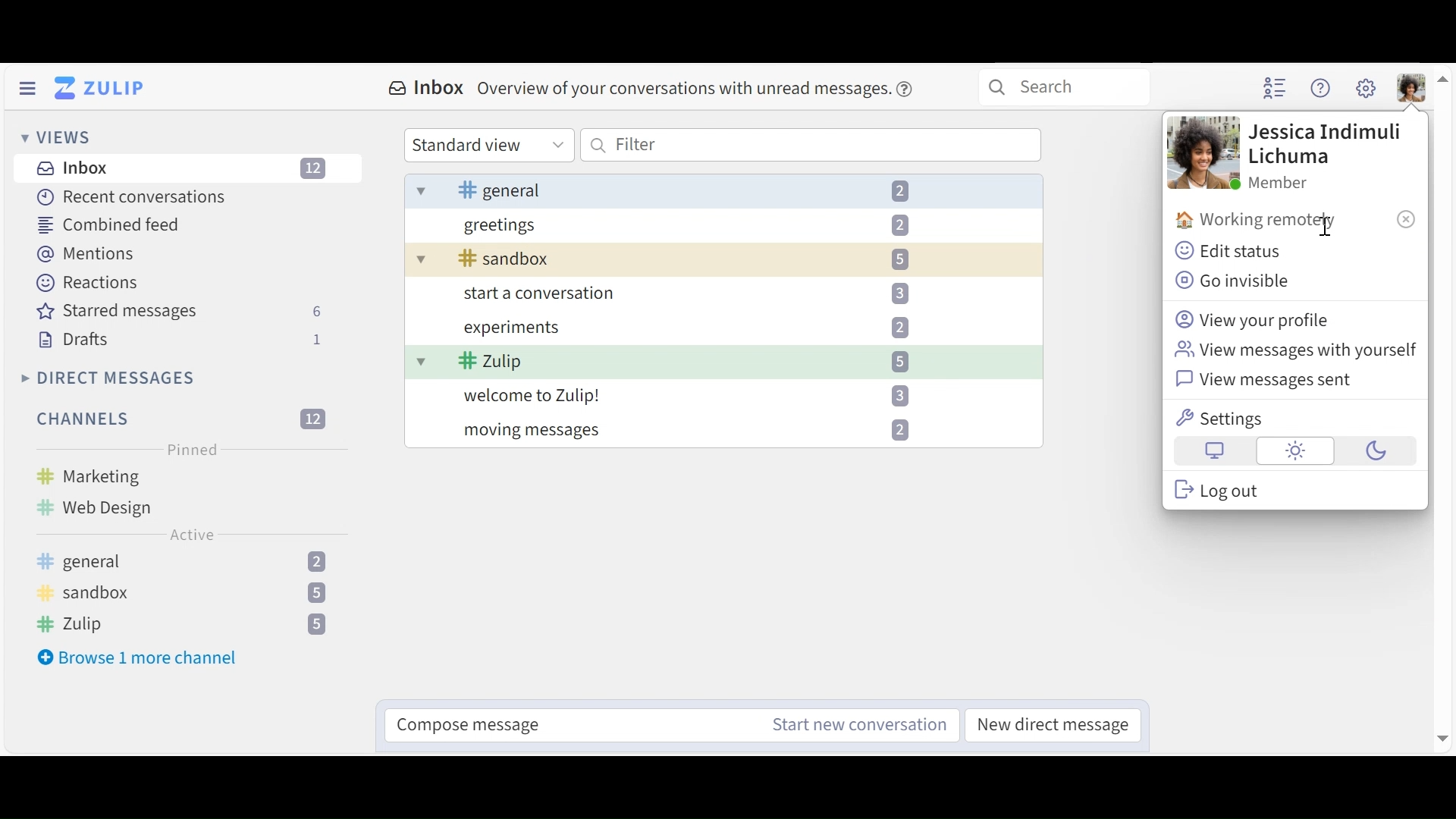 Image resolution: width=1456 pixels, height=819 pixels. I want to click on # zulip, so click(491, 360).